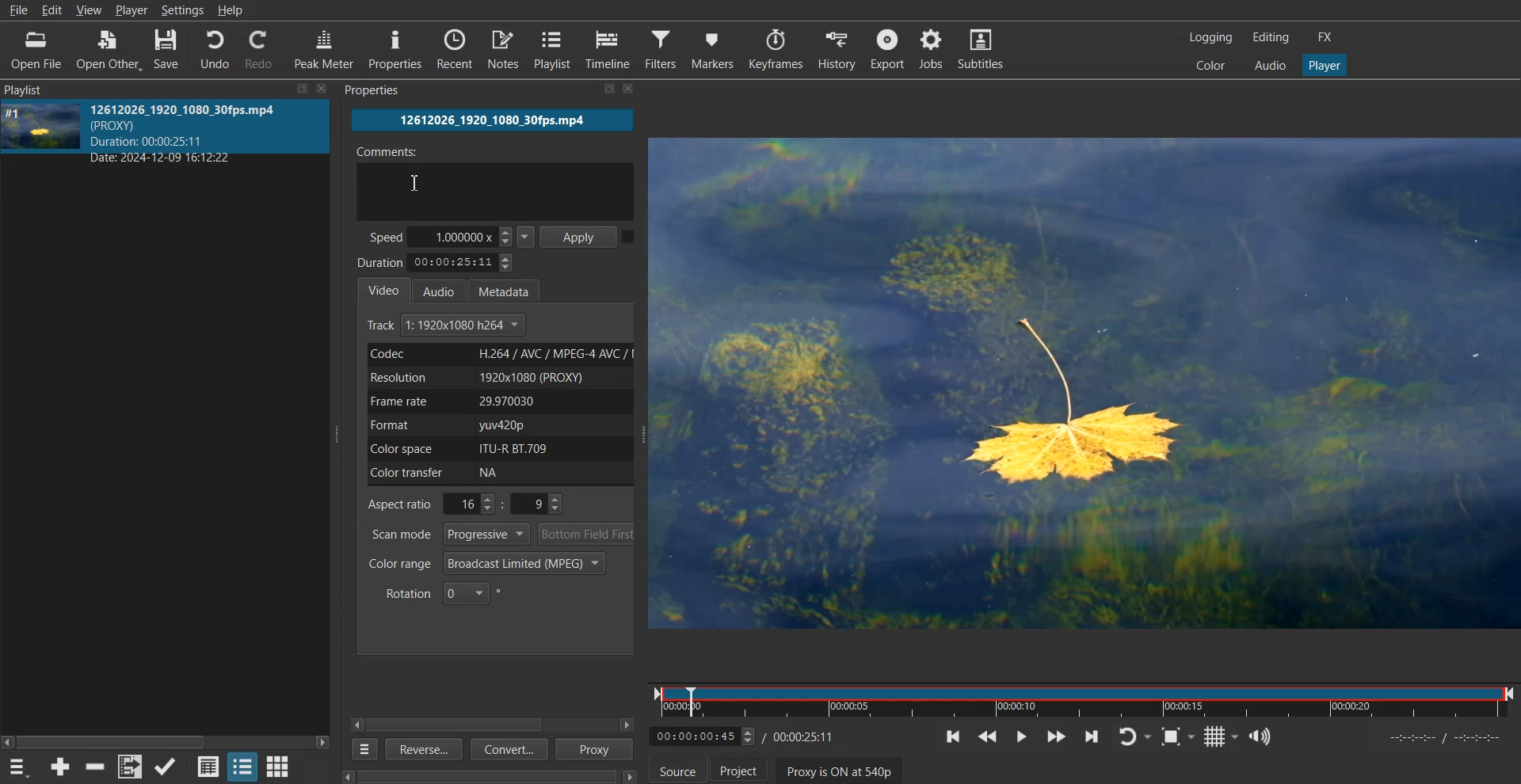  Describe the element at coordinates (357, 724) in the screenshot. I see `Scroll Left` at that location.